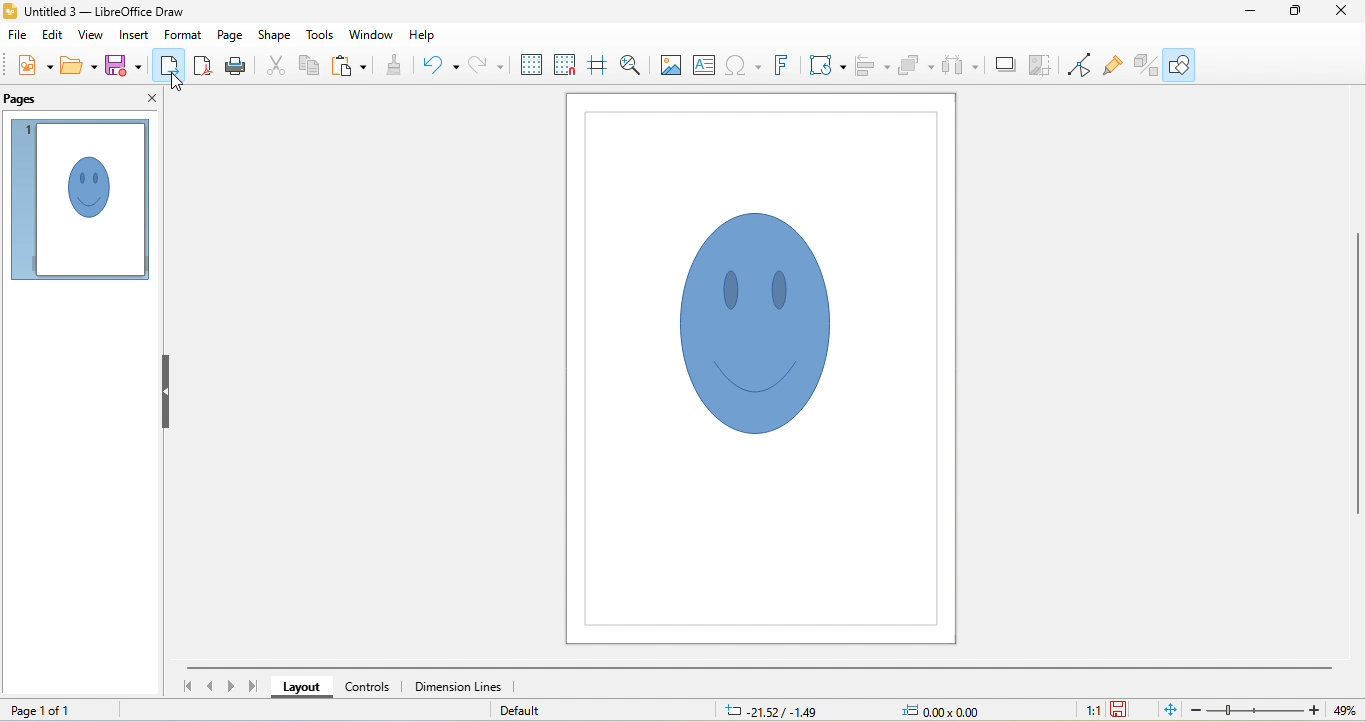 This screenshot has width=1366, height=722. I want to click on help, so click(424, 36).